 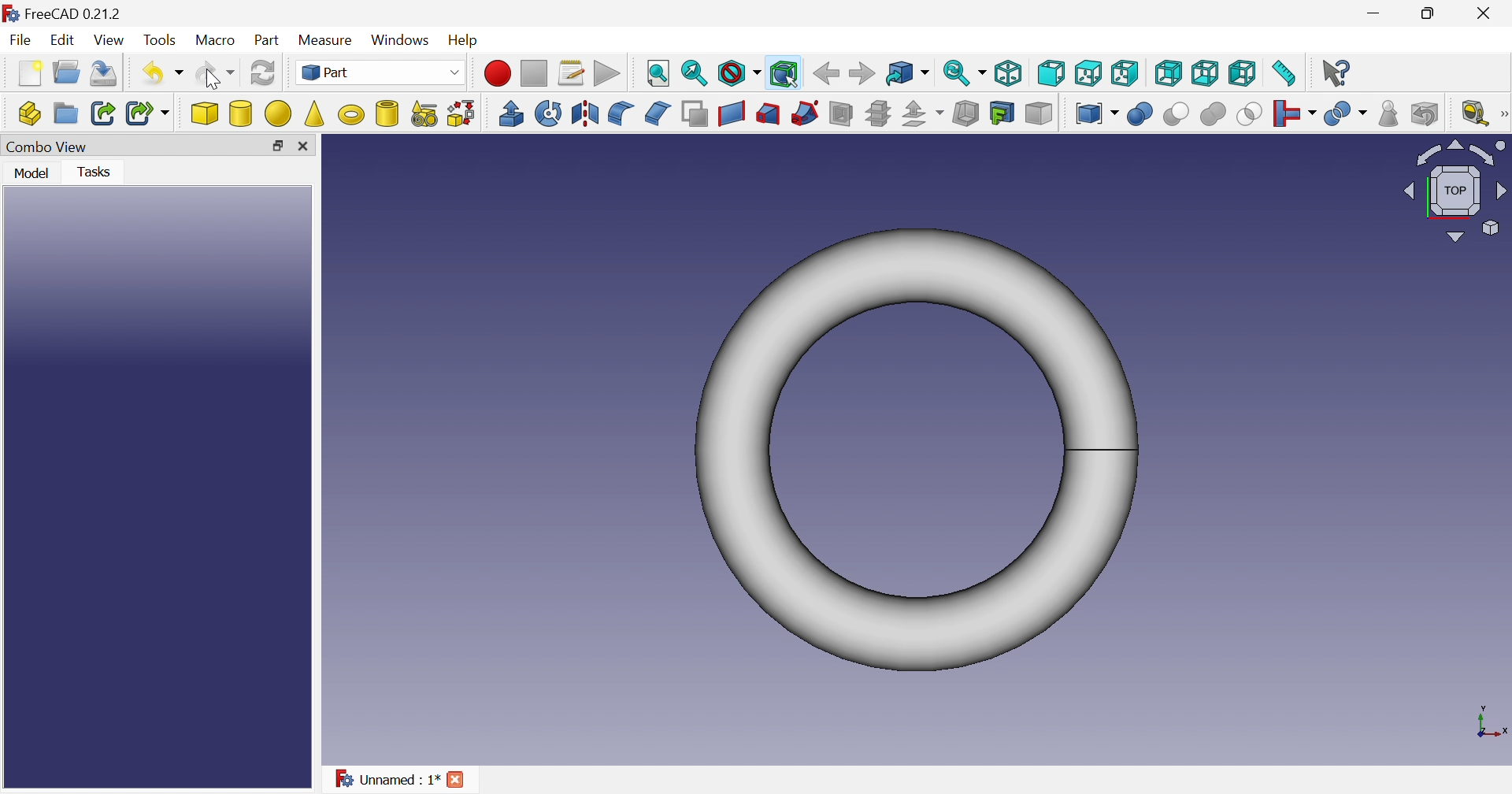 What do you see at coordinates (161, 38) in the screenshot?
I see `Tools` at bounding box center [161, 38].